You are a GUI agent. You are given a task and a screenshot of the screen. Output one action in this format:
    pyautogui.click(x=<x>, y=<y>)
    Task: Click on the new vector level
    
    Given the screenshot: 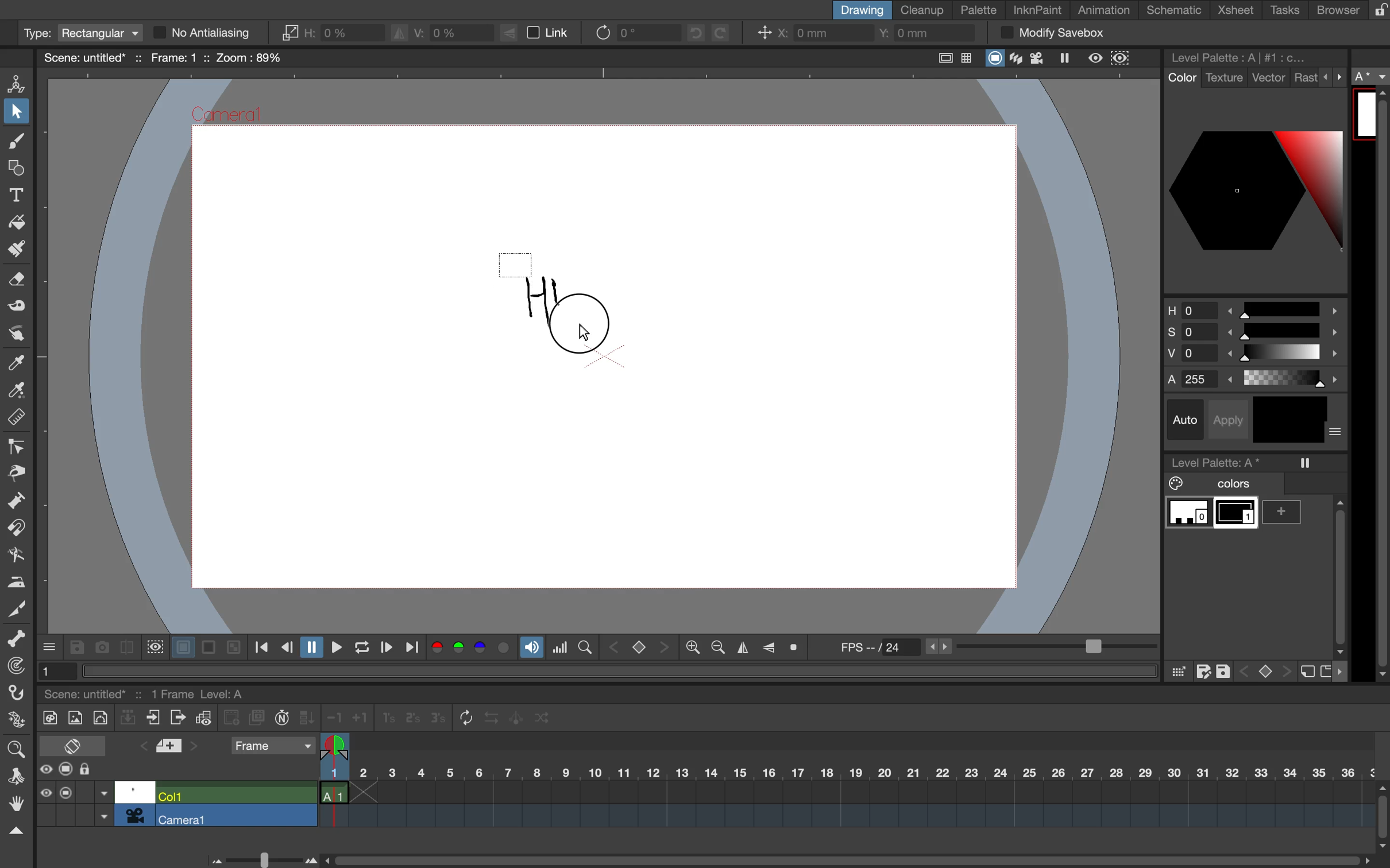 What is the action you would take?
    pyautogui.click(x=100, y=716)
    